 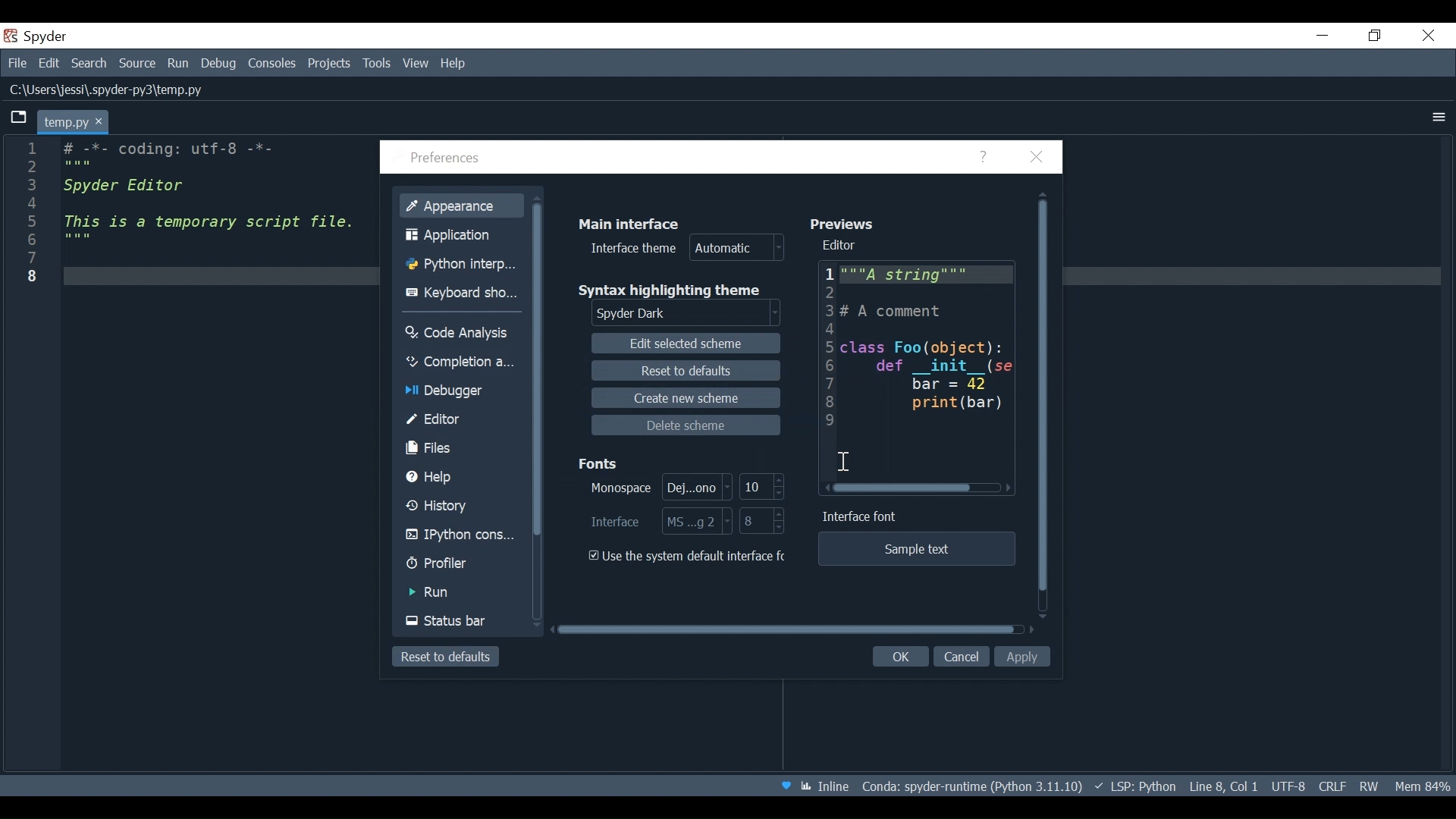 What do you see at coordinates (785, 787) in the screenshot?
I see `Help Spyder` at bounding box center [785, 787].